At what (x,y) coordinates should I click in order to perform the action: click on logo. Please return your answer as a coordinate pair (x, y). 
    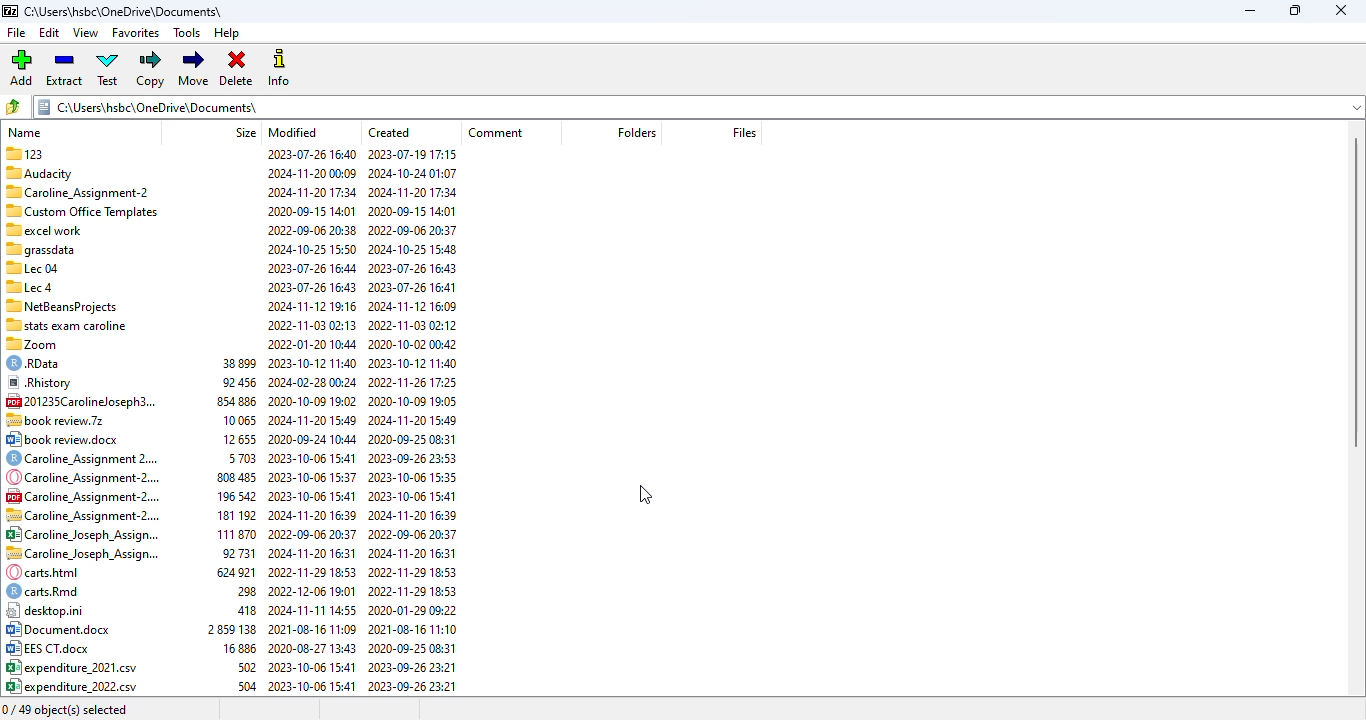
    Looking at the image, I should click on (10, 12).